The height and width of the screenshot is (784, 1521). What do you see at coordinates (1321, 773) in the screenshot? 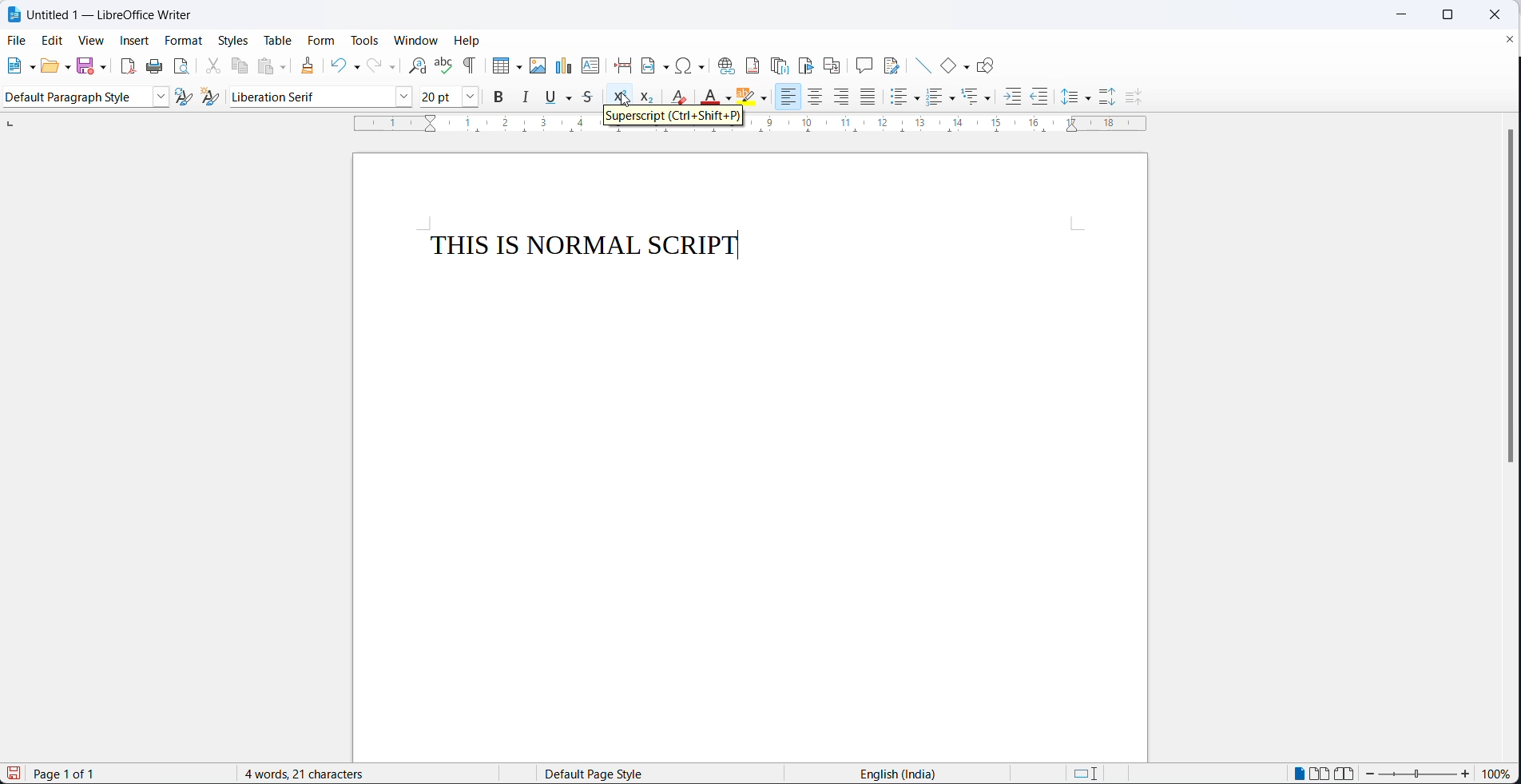
I see `multipage view` at bounding box center [1321, 773].